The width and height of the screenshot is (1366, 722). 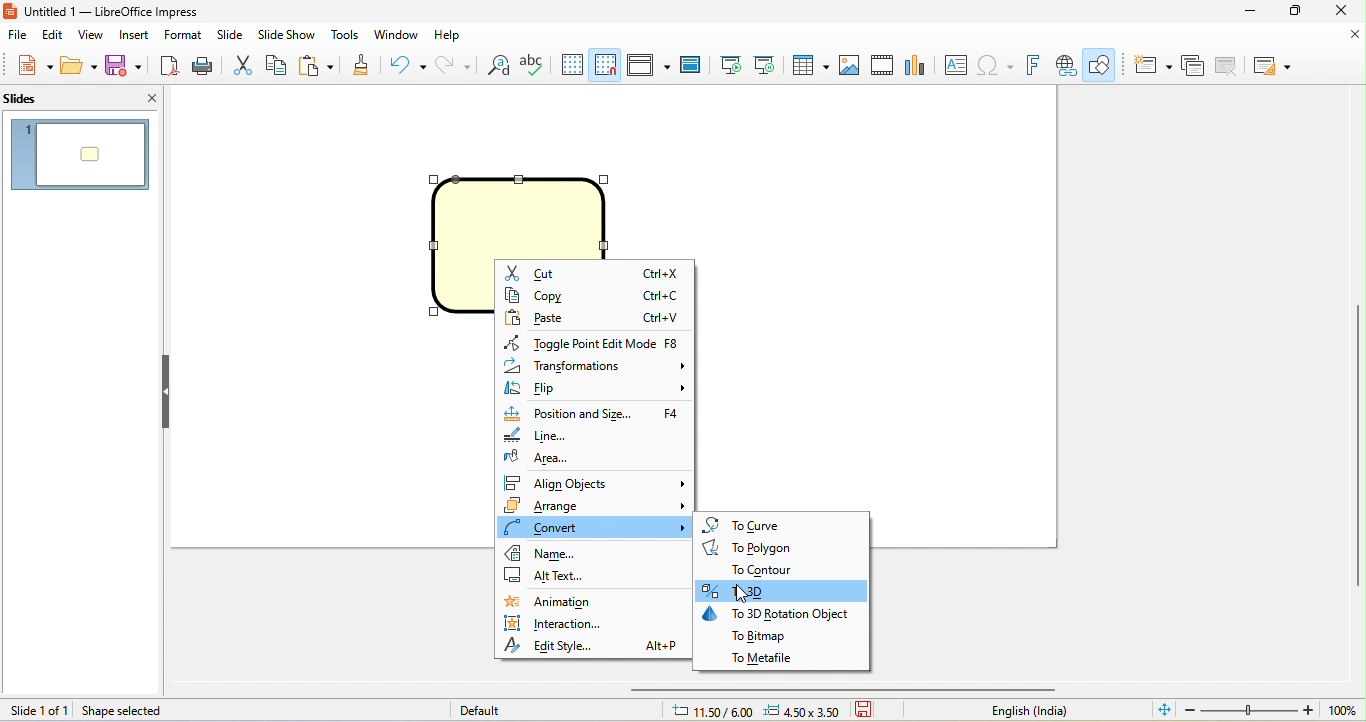 What do you see at coordinates (232, 33) in the screenshot?
I see `slide` at bounding box center [232, 33].